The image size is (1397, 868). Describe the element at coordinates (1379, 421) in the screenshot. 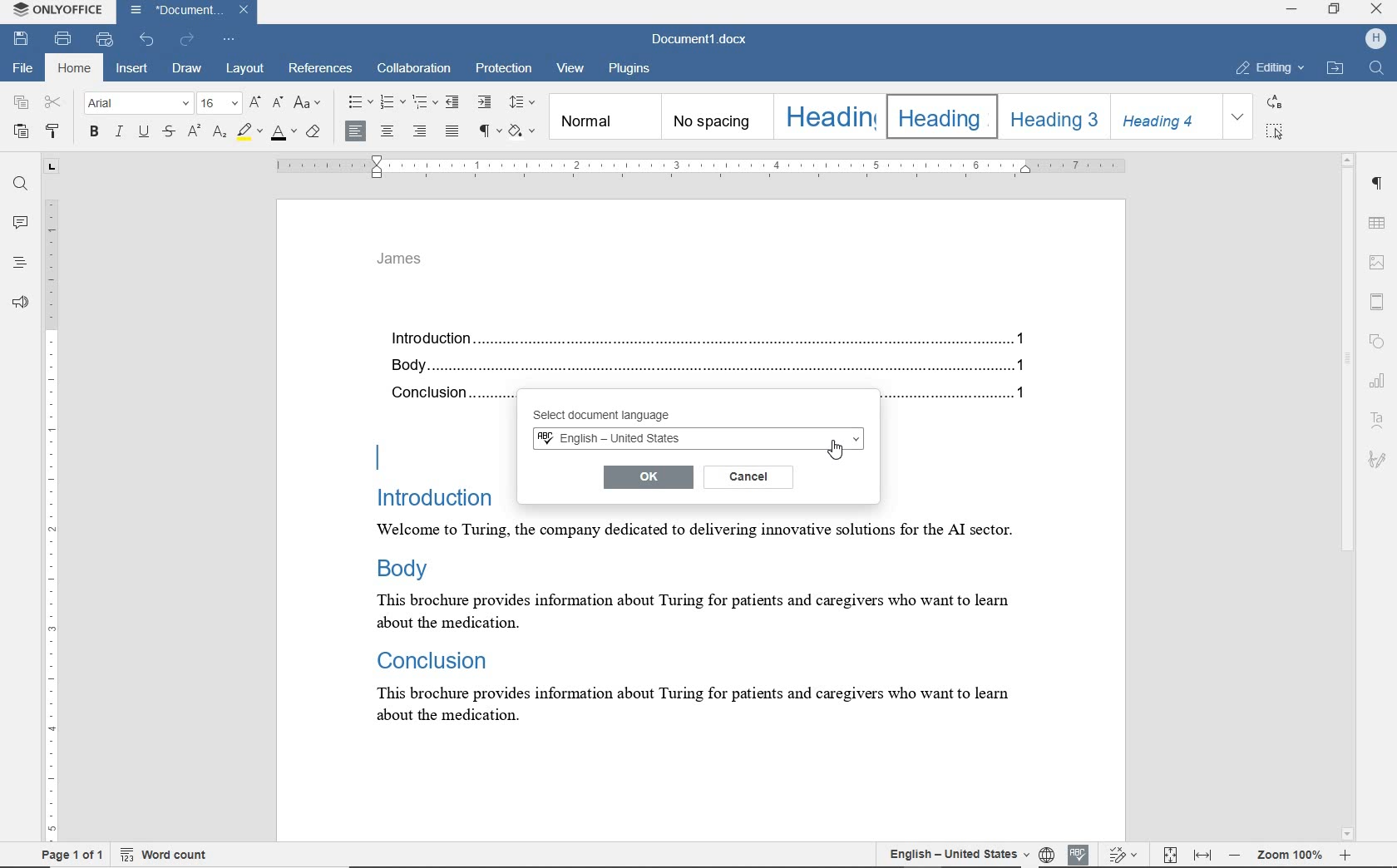

I see `Text Art` at that location.